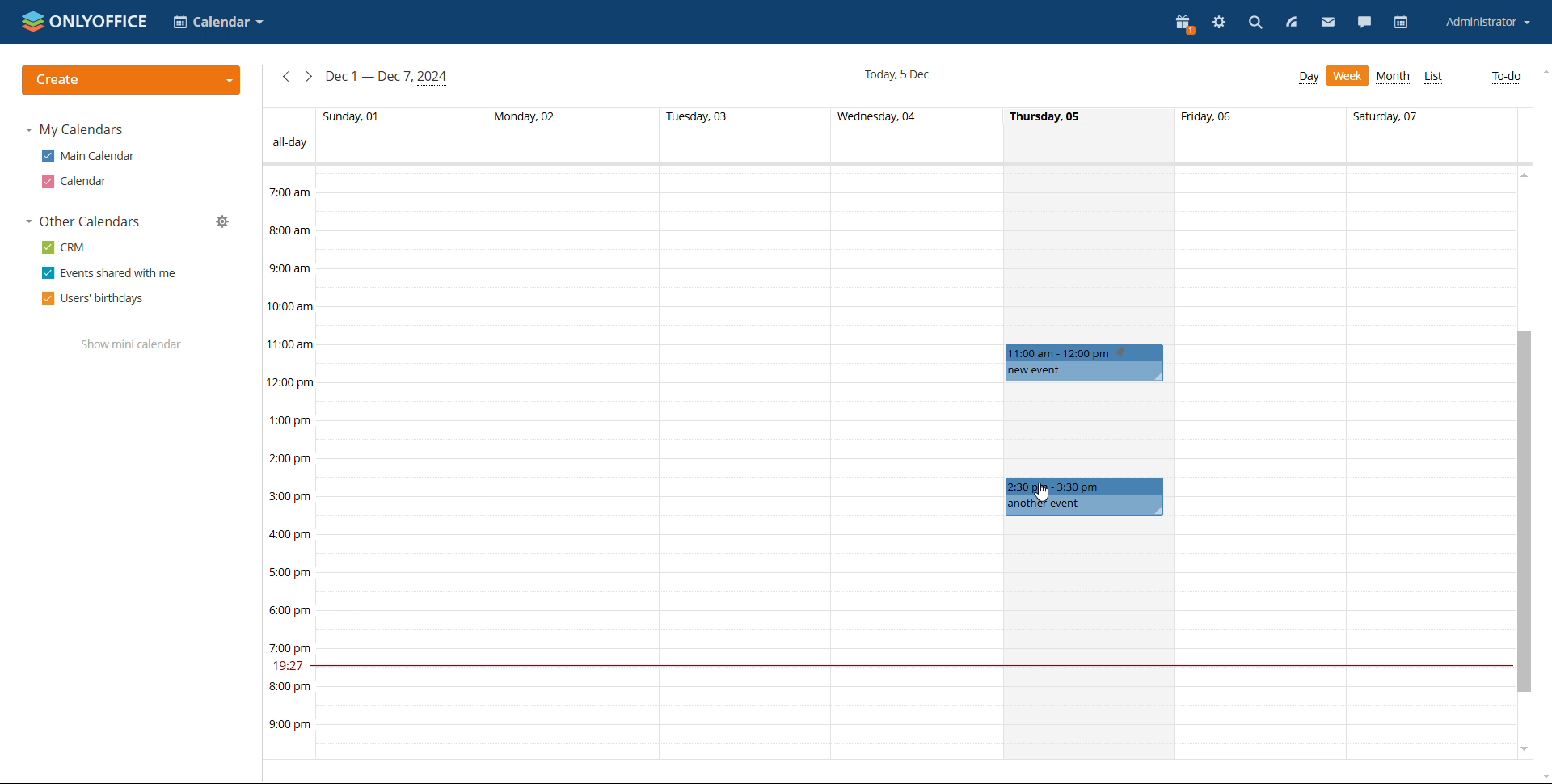  What do you see at coordinates (1040, 492) in the screenshot?
I see `cursor` at bounding box center [1040, 492].